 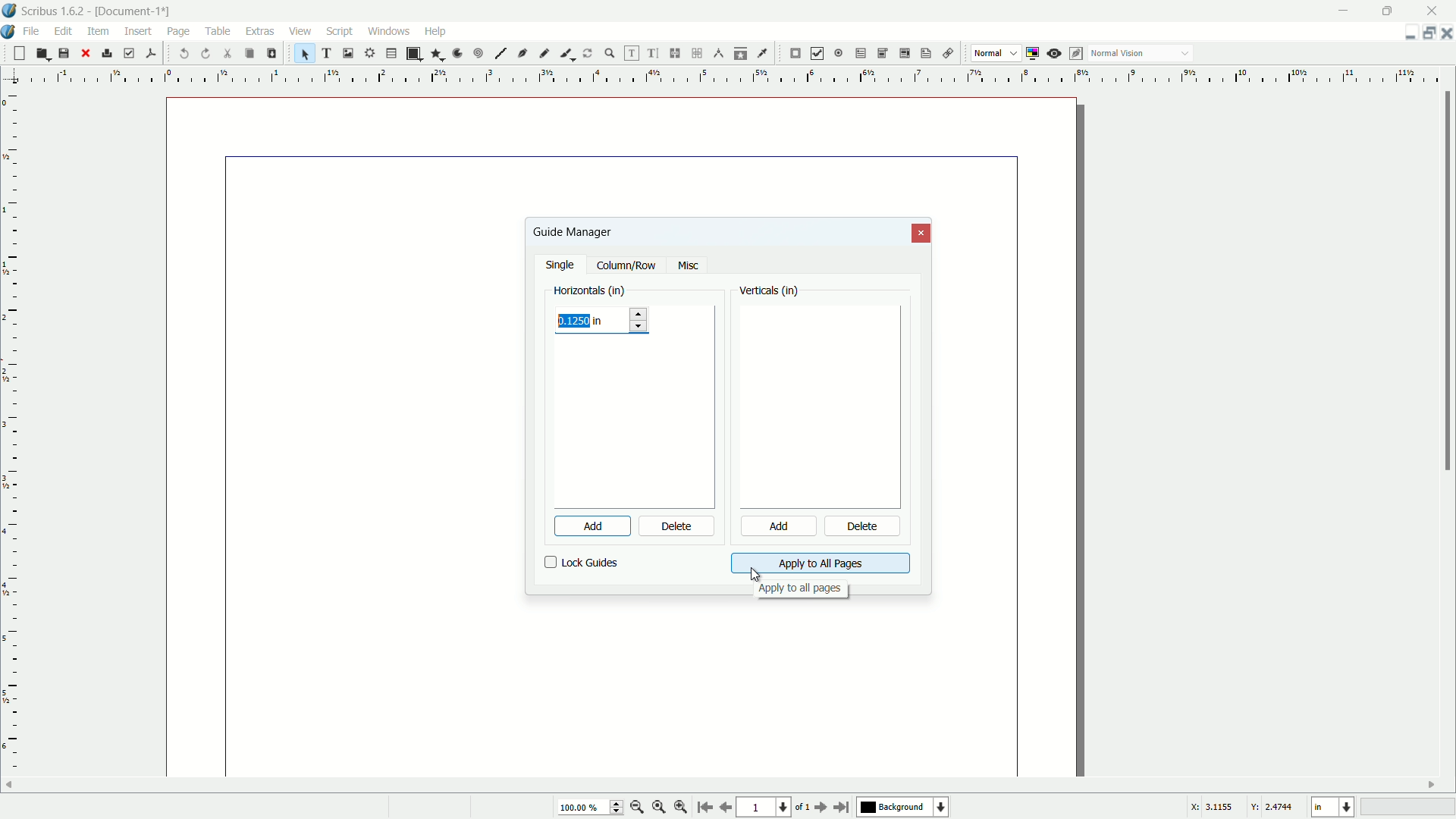 What do you see at coordinates (722, 77) in the screenshot?
I see `measuring scale` at bounding box center [722, 77].